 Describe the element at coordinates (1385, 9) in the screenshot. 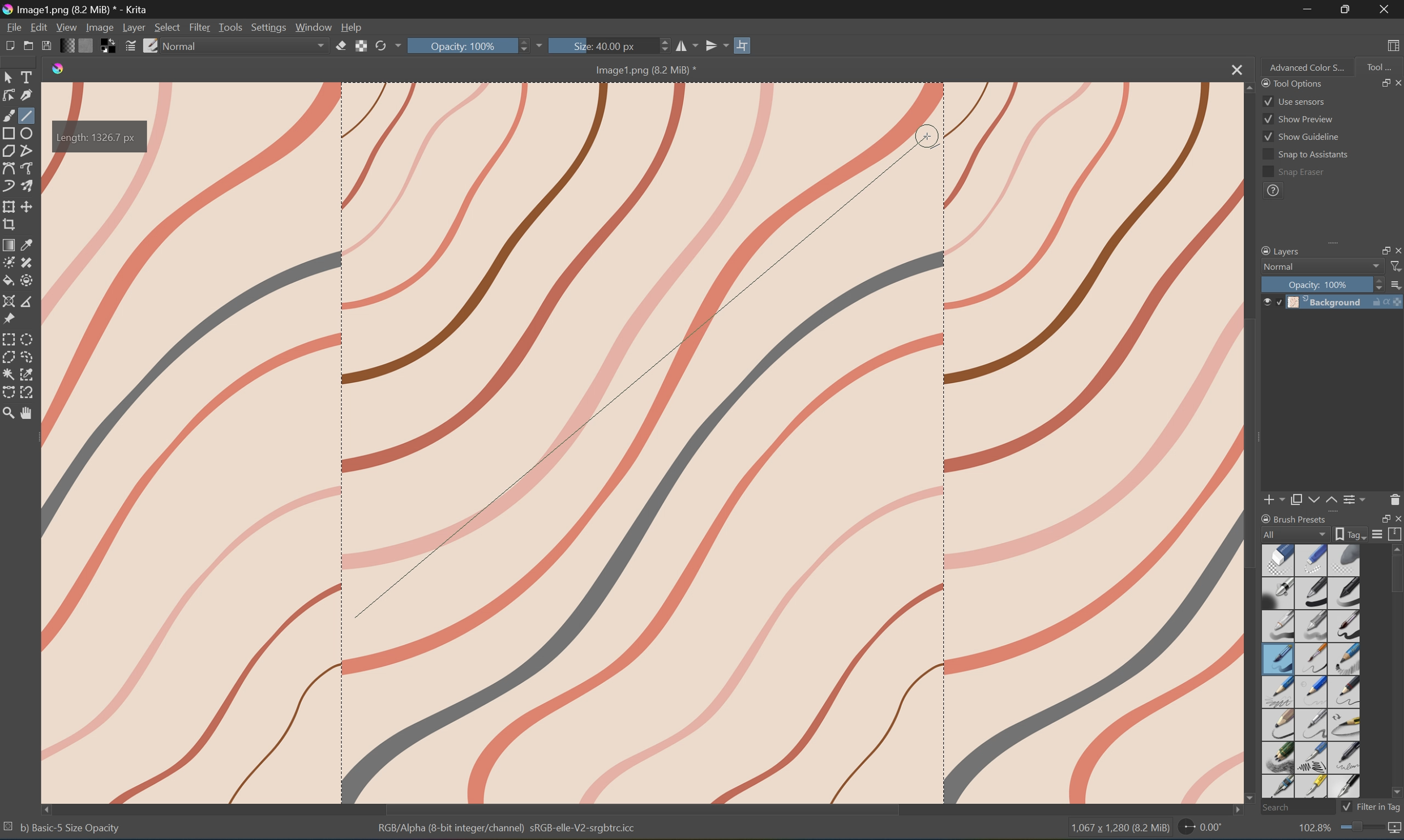

I see `Close` at that location.